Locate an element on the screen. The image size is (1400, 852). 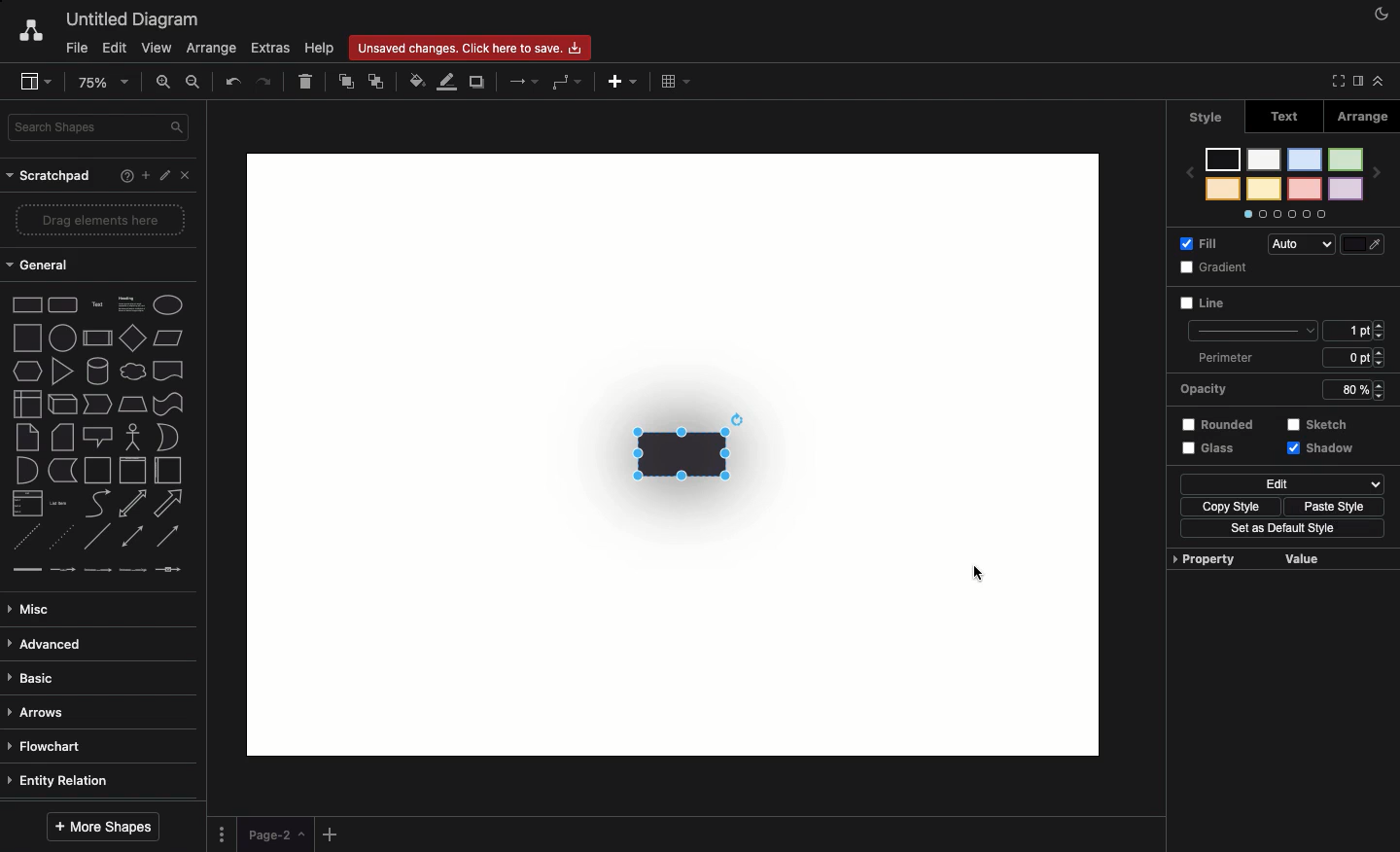
Undo is located at coordinates (233, 83).